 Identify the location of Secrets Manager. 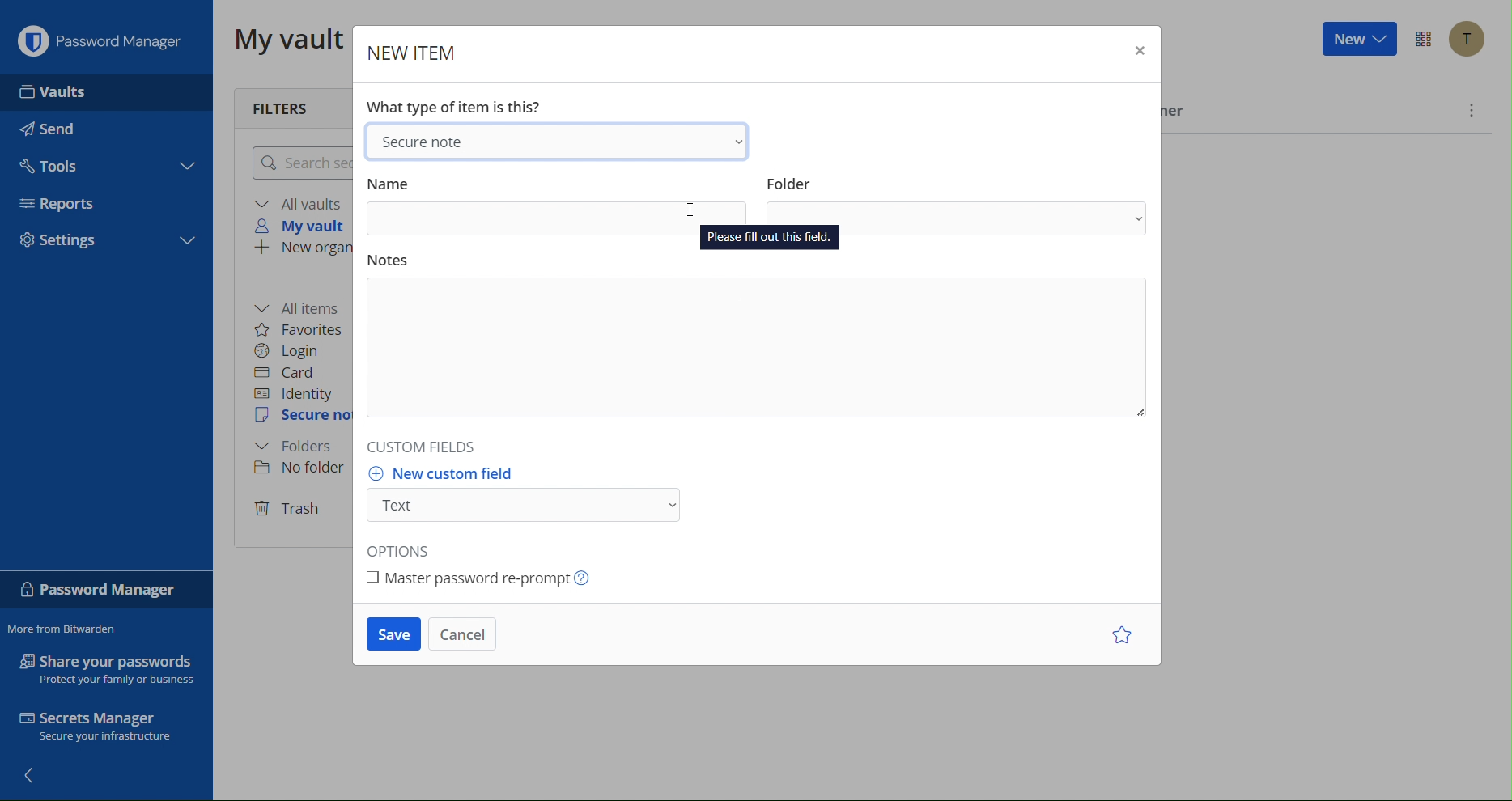
(109, 727).